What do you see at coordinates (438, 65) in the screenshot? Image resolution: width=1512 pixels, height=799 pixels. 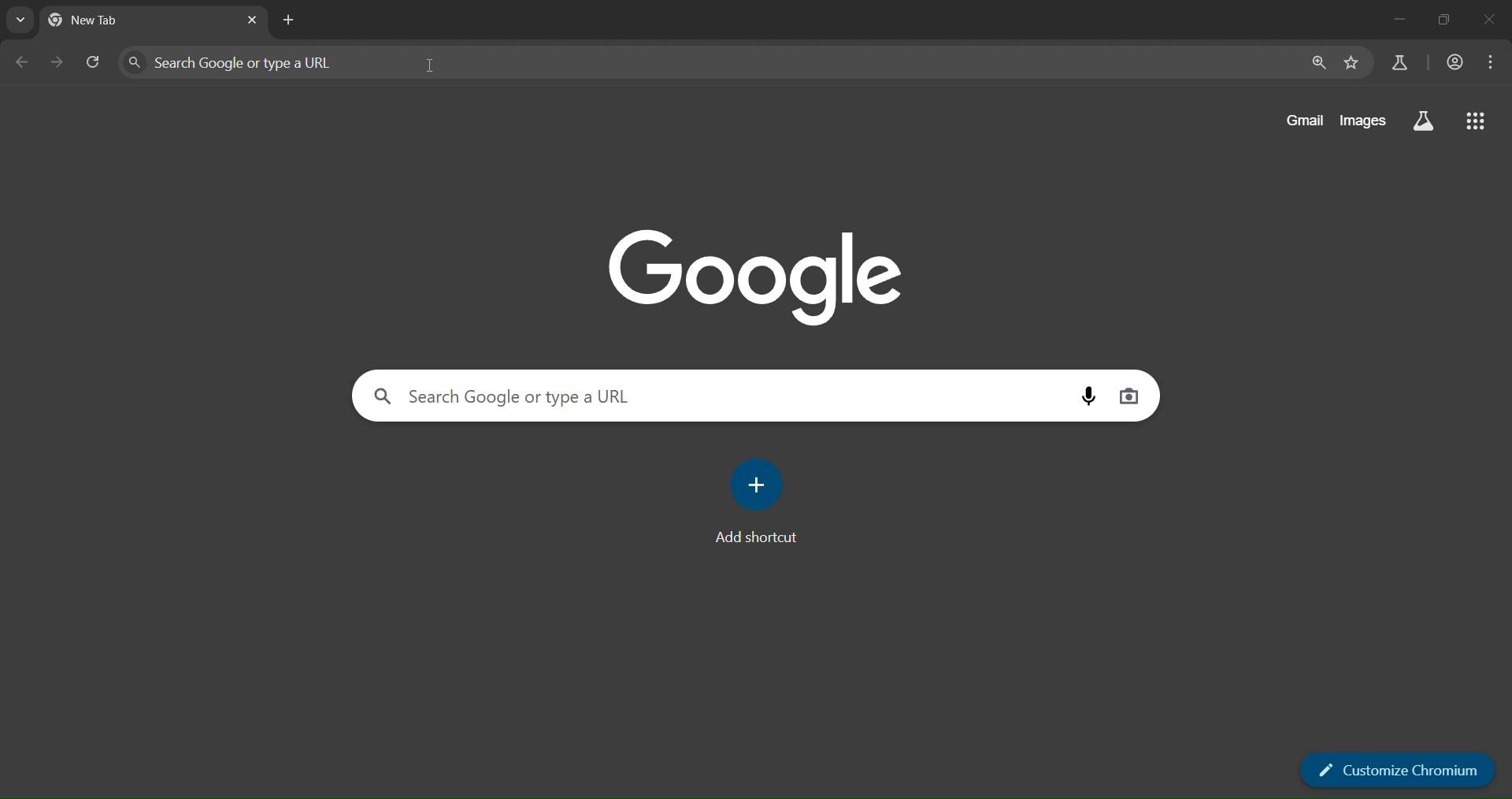 I see `cursor` at bounding box center [438, 65].